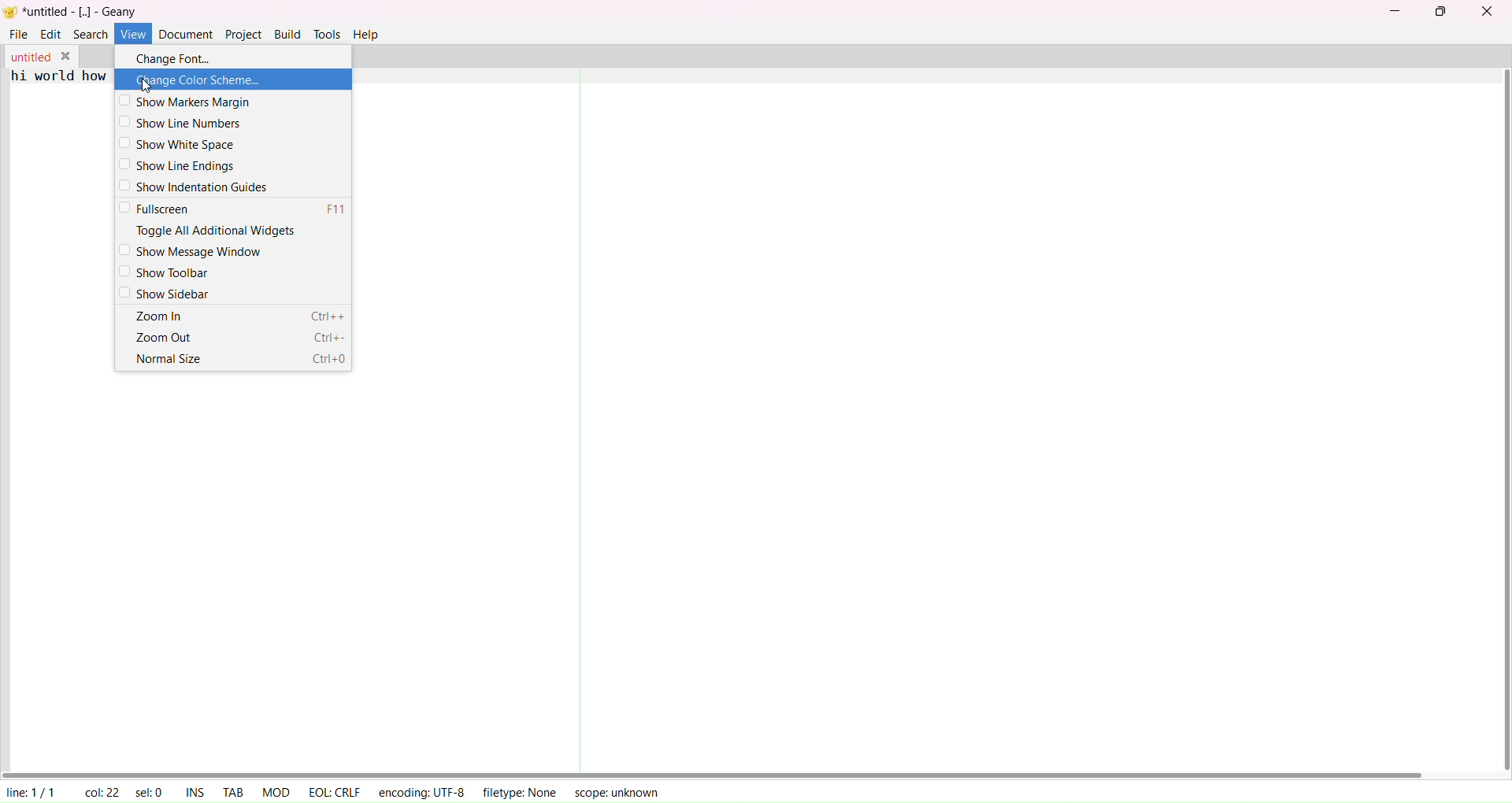 This screenshot has width=1512, height=803. What do you see at coordinates (12, 12) in the screenshot?
I see `logo` at bounding box center [12, 12].